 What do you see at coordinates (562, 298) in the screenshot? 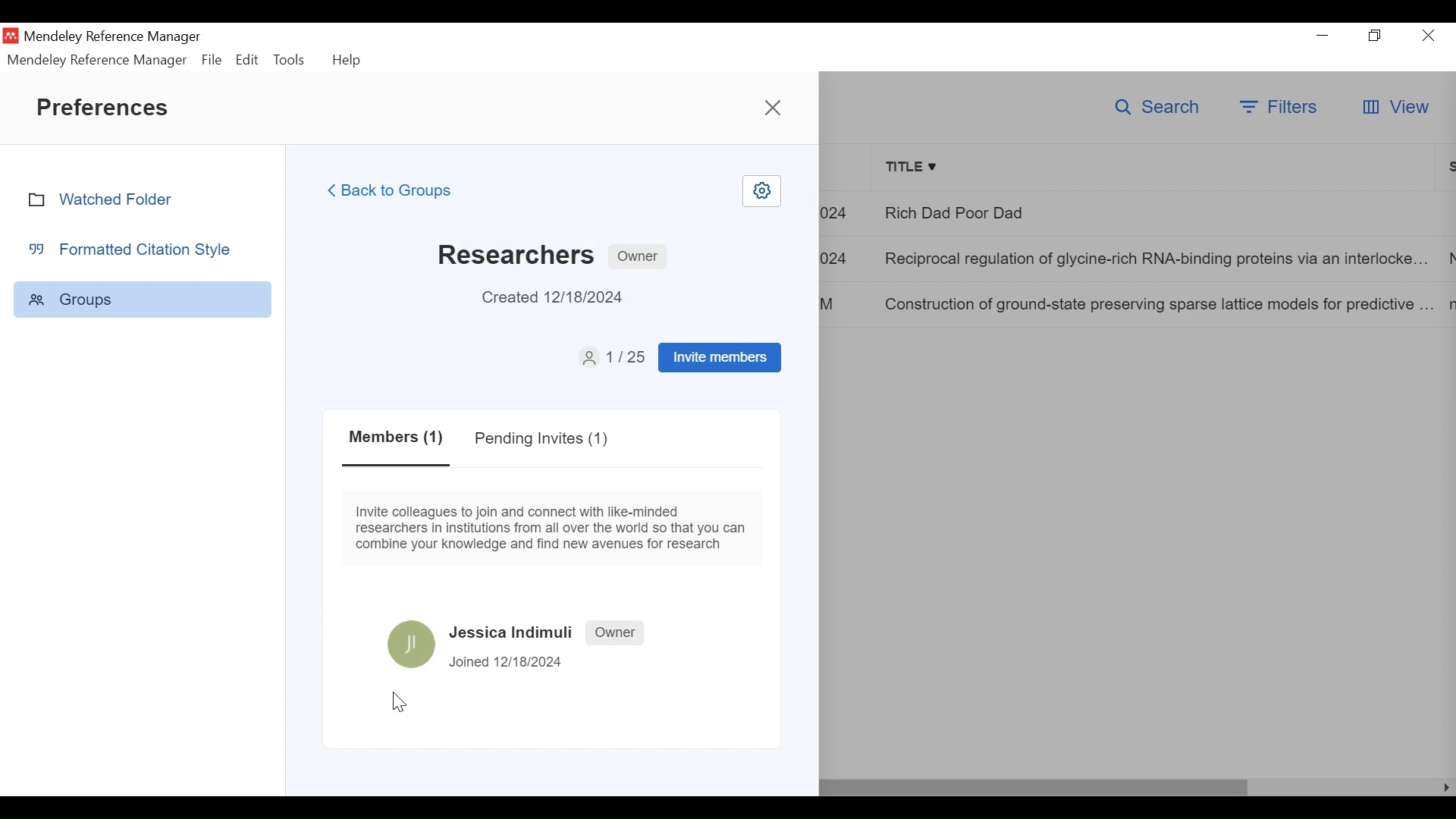
I see `Created 12/18/2024` at bounding box center [562, 298].